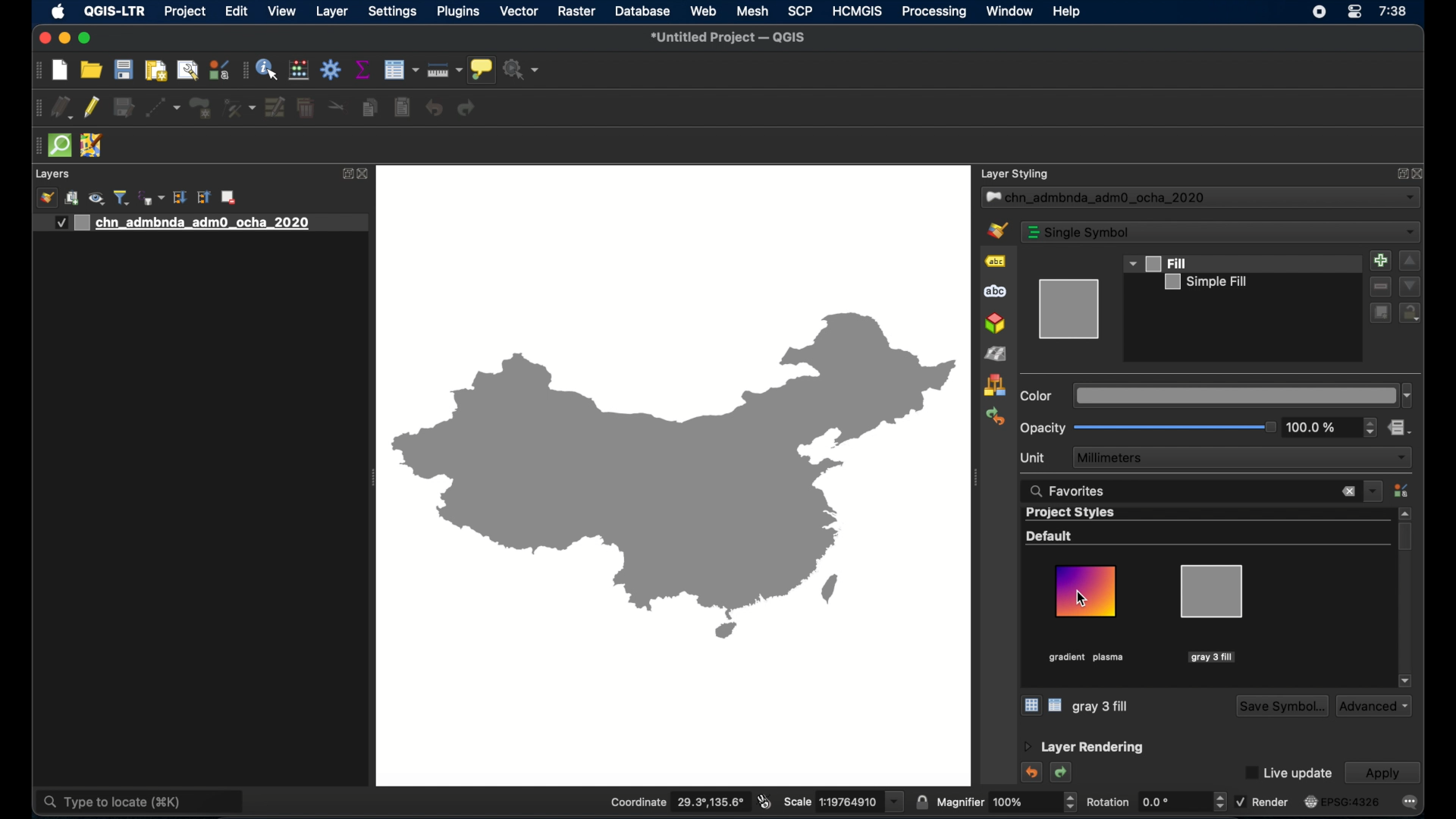  Describe the element at coordinates (38, 71) in the screenshot. I see `drag handle` at that location.